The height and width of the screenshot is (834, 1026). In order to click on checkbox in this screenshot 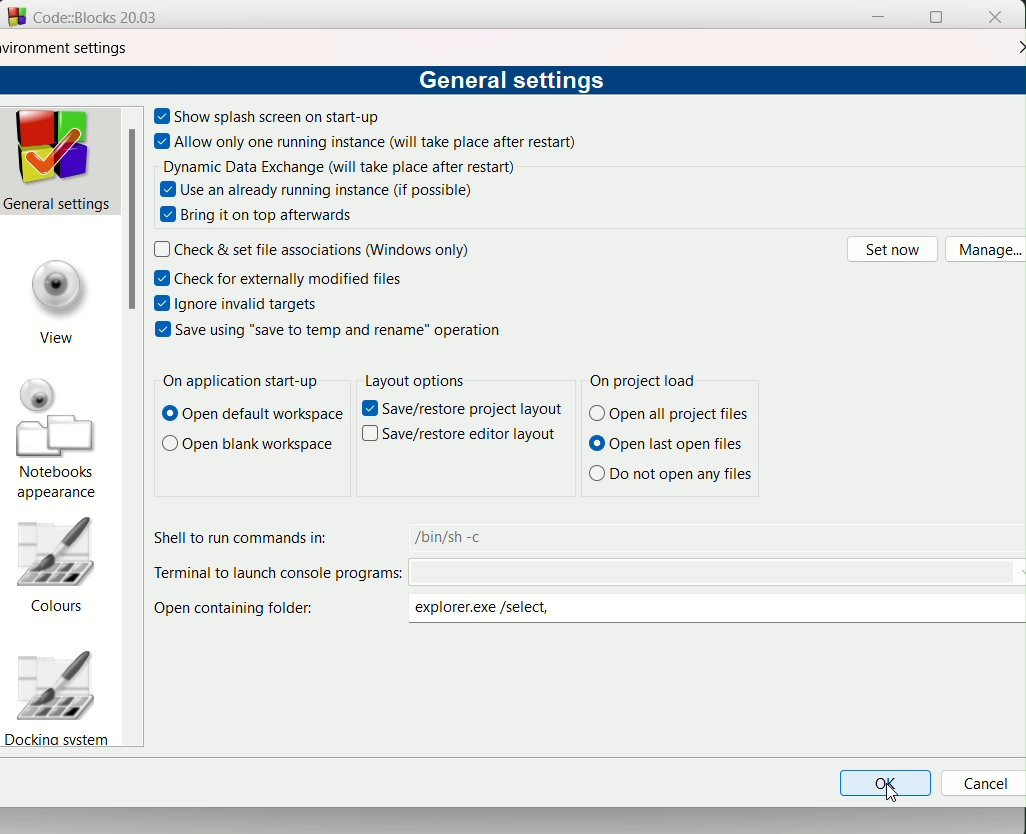, I will do `click(163, 278)`.